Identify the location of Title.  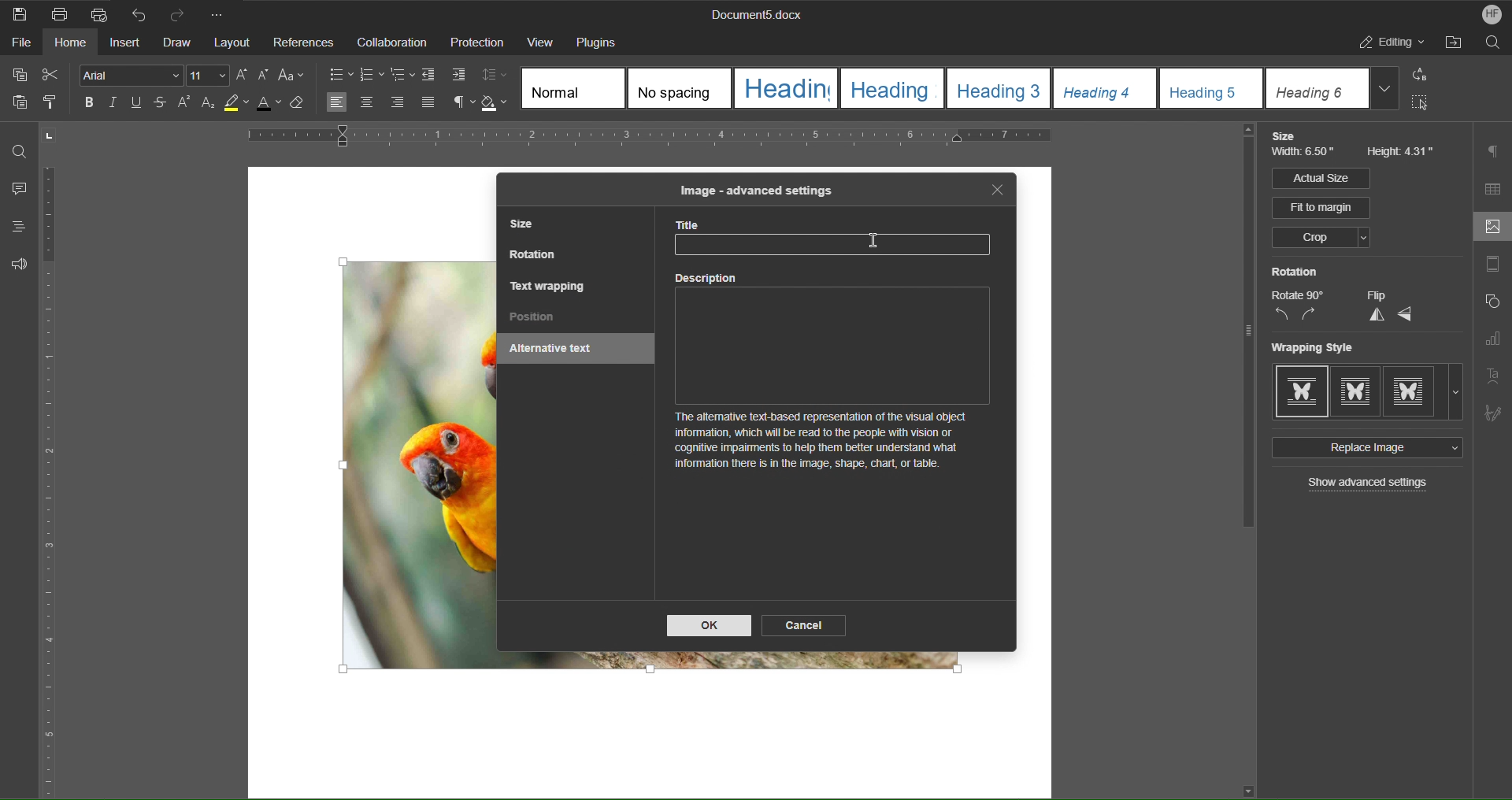
(840, 239).